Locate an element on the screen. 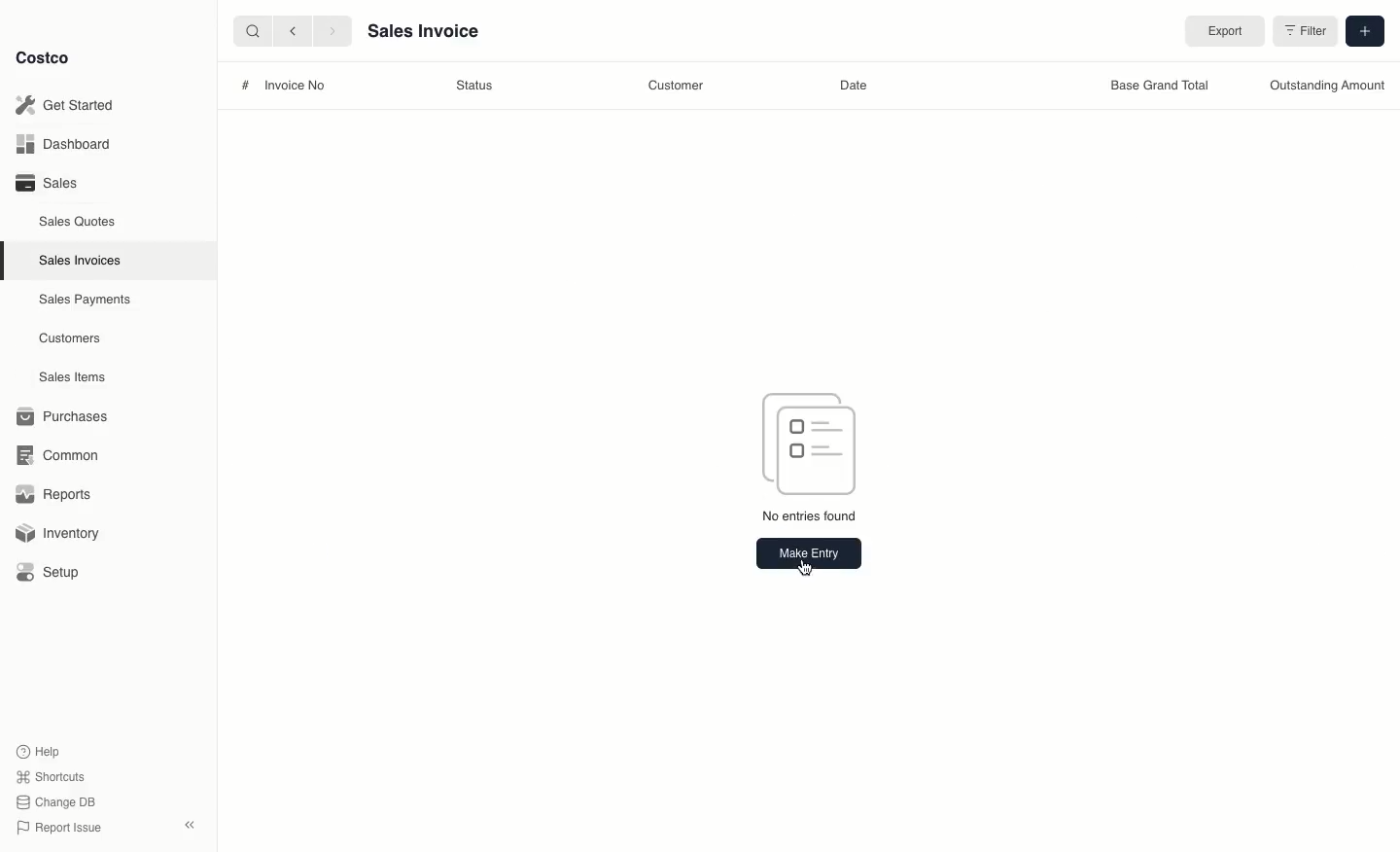 This screenshot has width=1400, height=852. Help is located at coordinates (40, 750).